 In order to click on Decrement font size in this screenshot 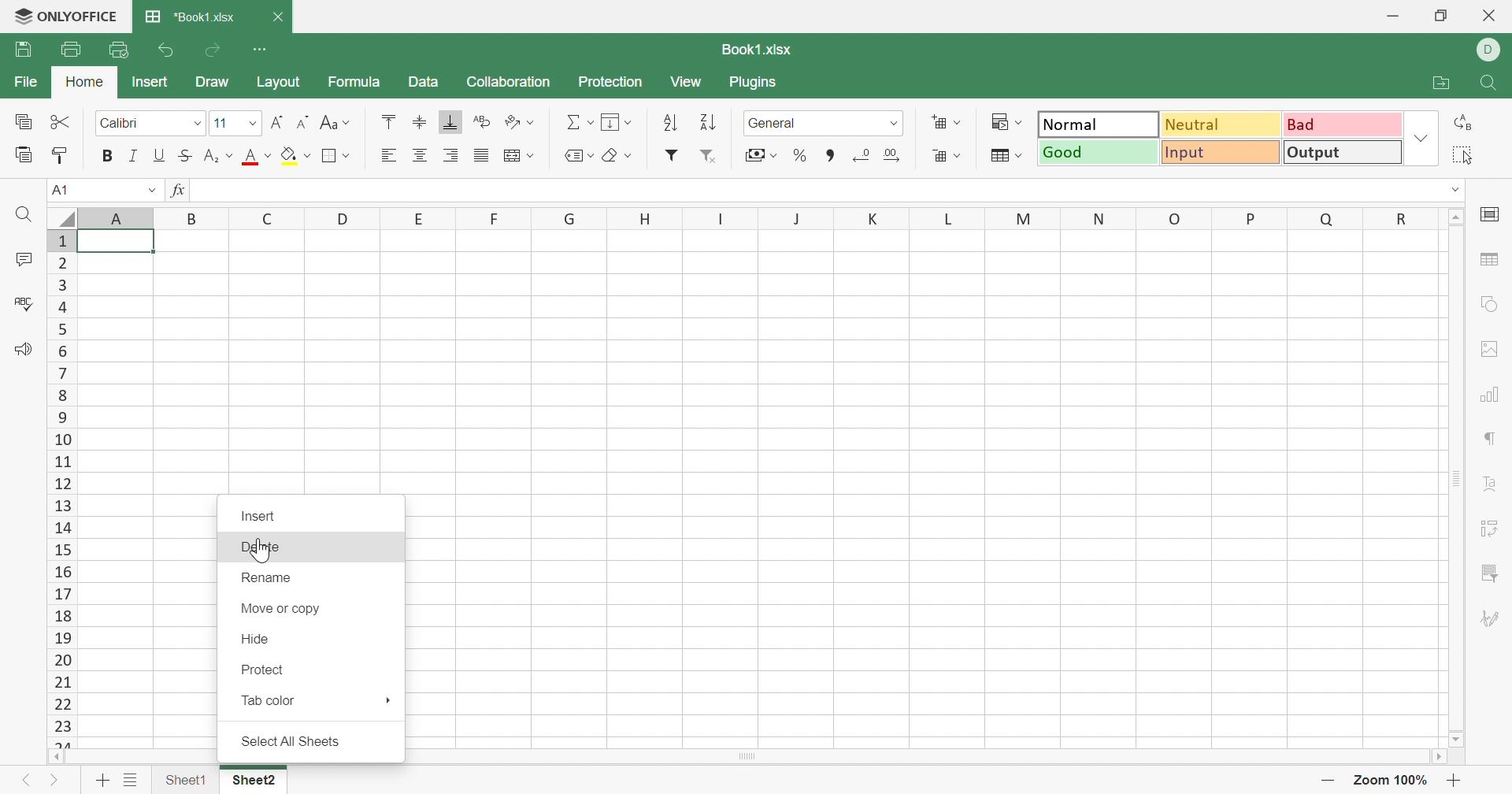, I will do `click(301, 121)`.